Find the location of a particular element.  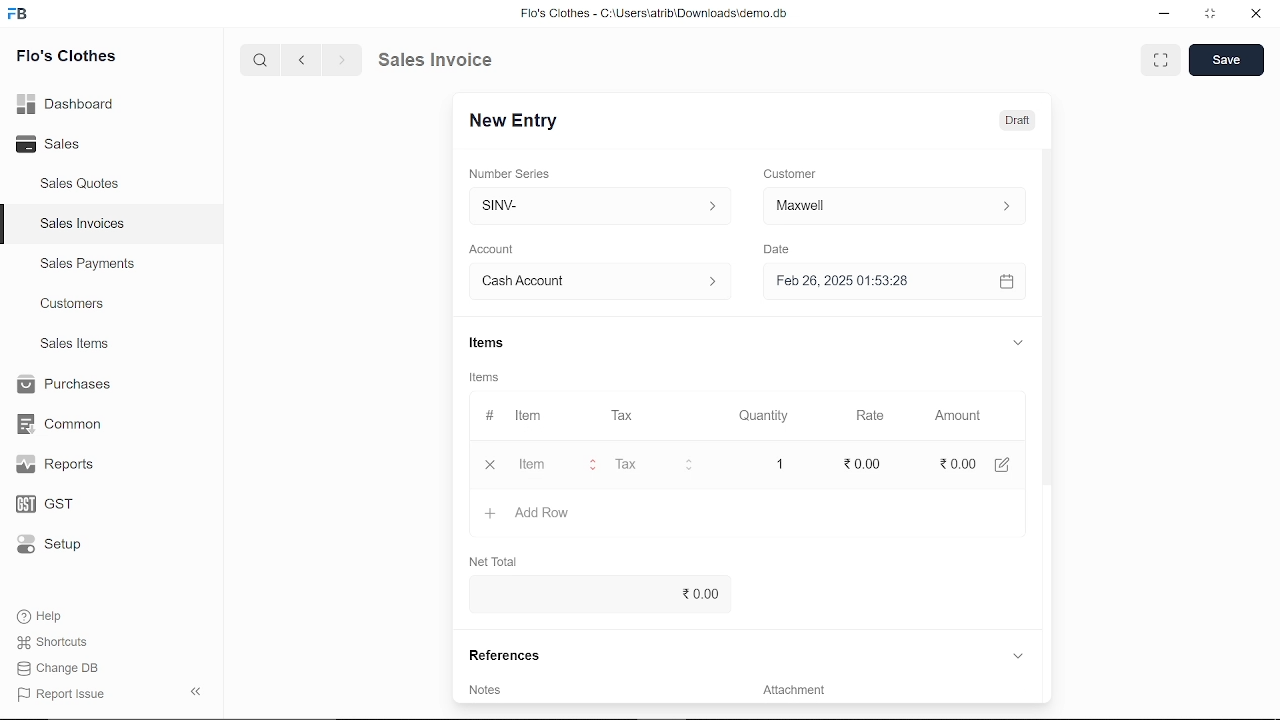

open calender is located at coordinates (1006, 281).